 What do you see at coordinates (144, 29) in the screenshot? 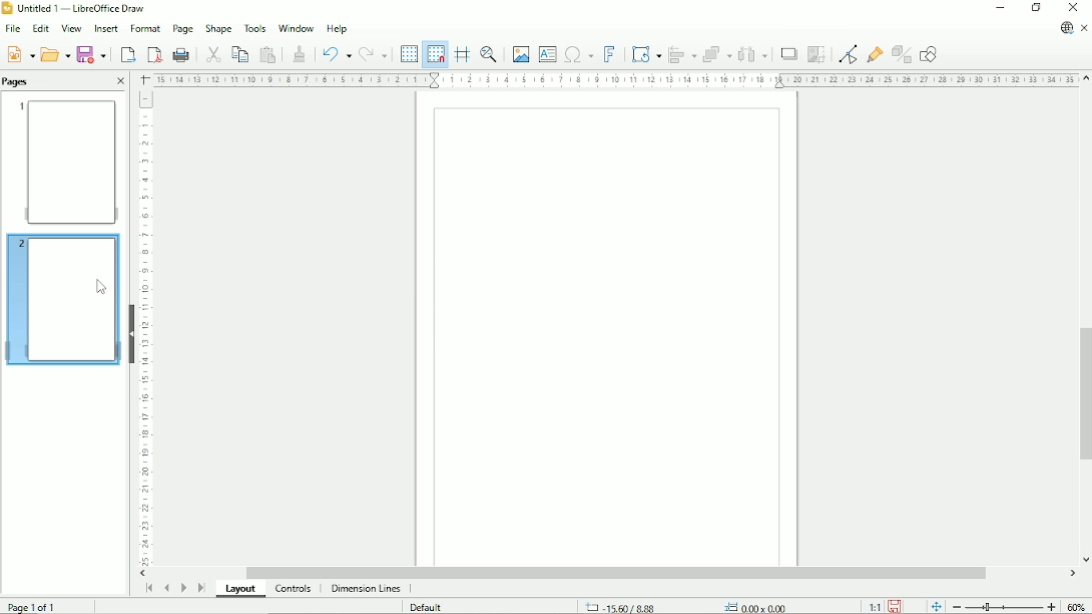
I see `Format` at bounding box center [144, 29].